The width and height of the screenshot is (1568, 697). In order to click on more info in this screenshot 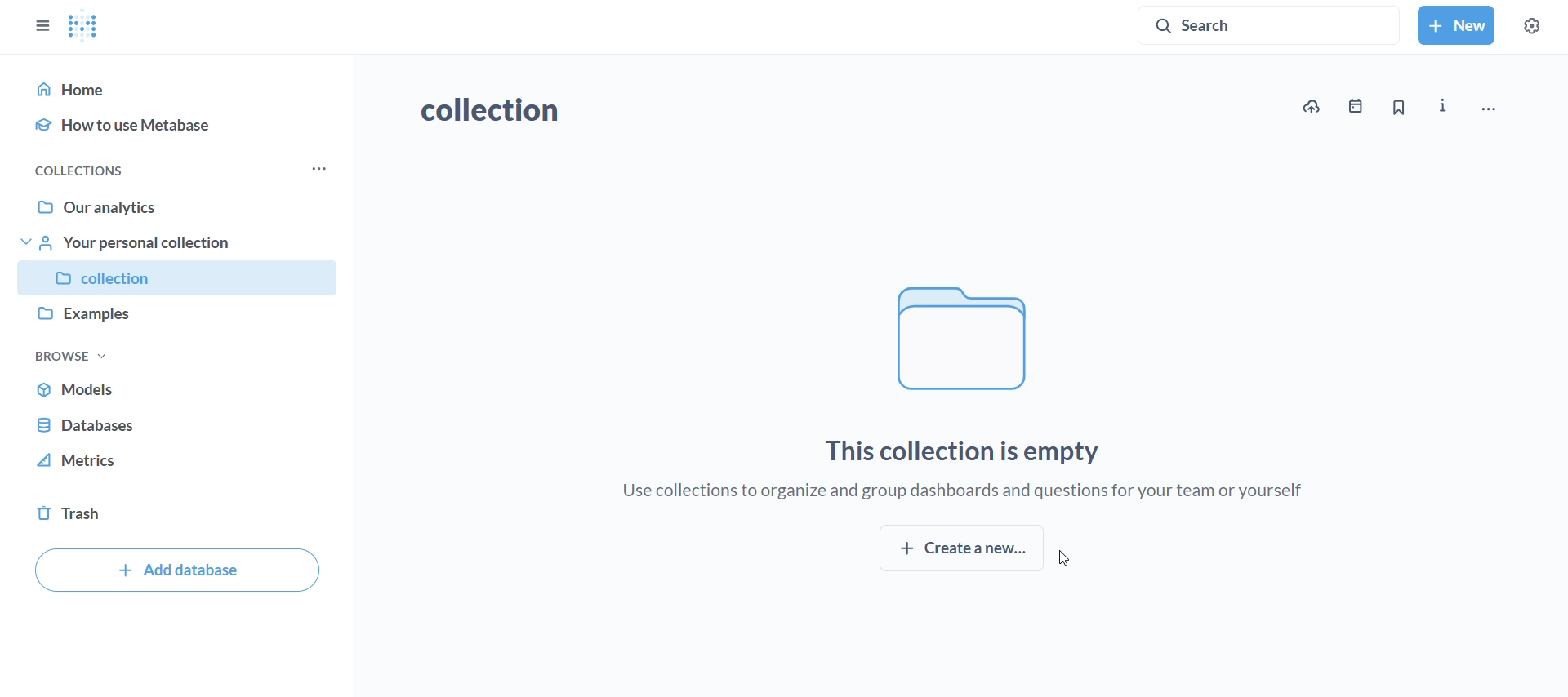, I will do `click(1444, 108)`.